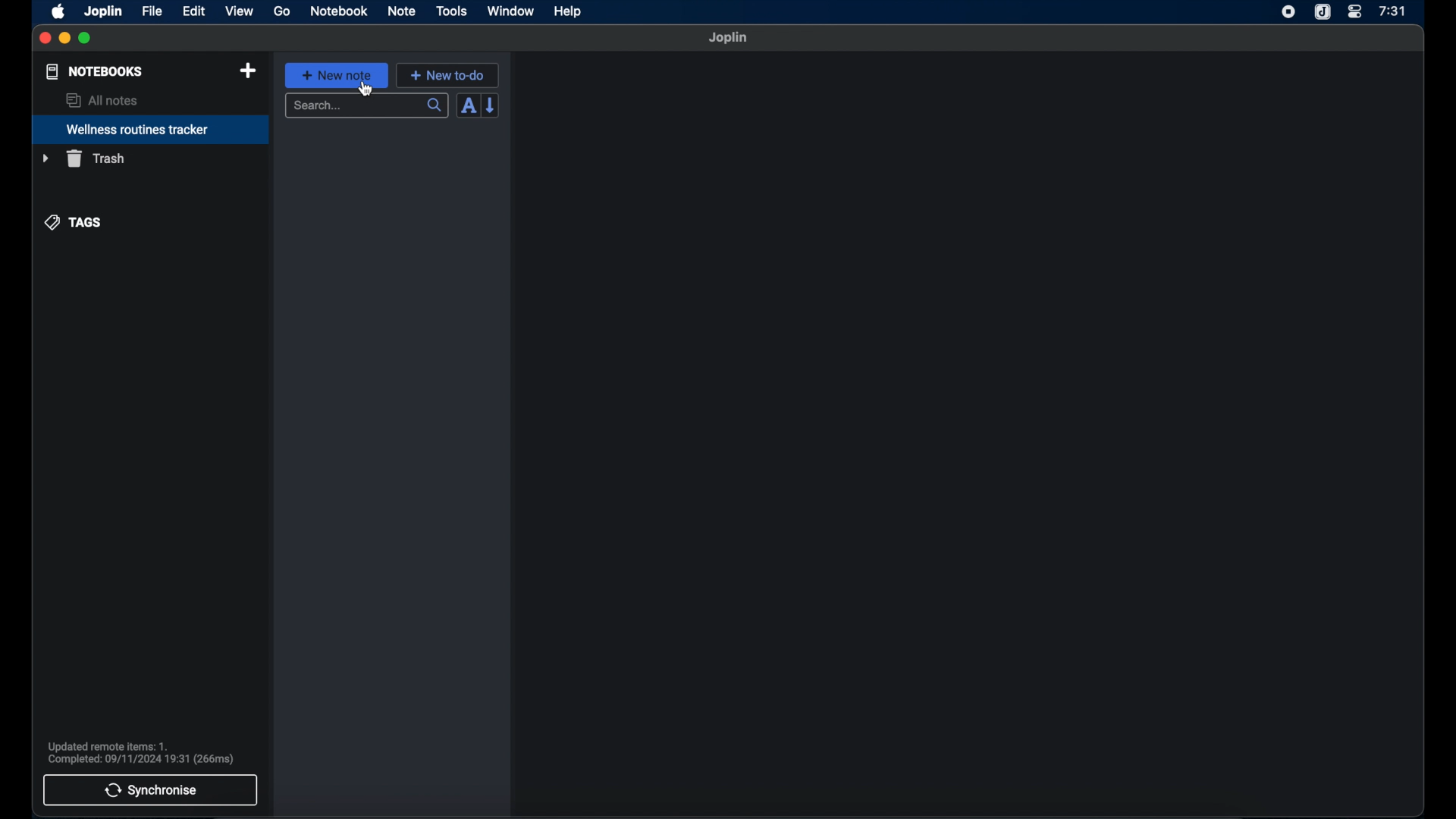 The height and width of the screenshot is (819, 1456). Describe the element at coordinates (59, 12) in the screenshot. I see `apple icon` at that location.